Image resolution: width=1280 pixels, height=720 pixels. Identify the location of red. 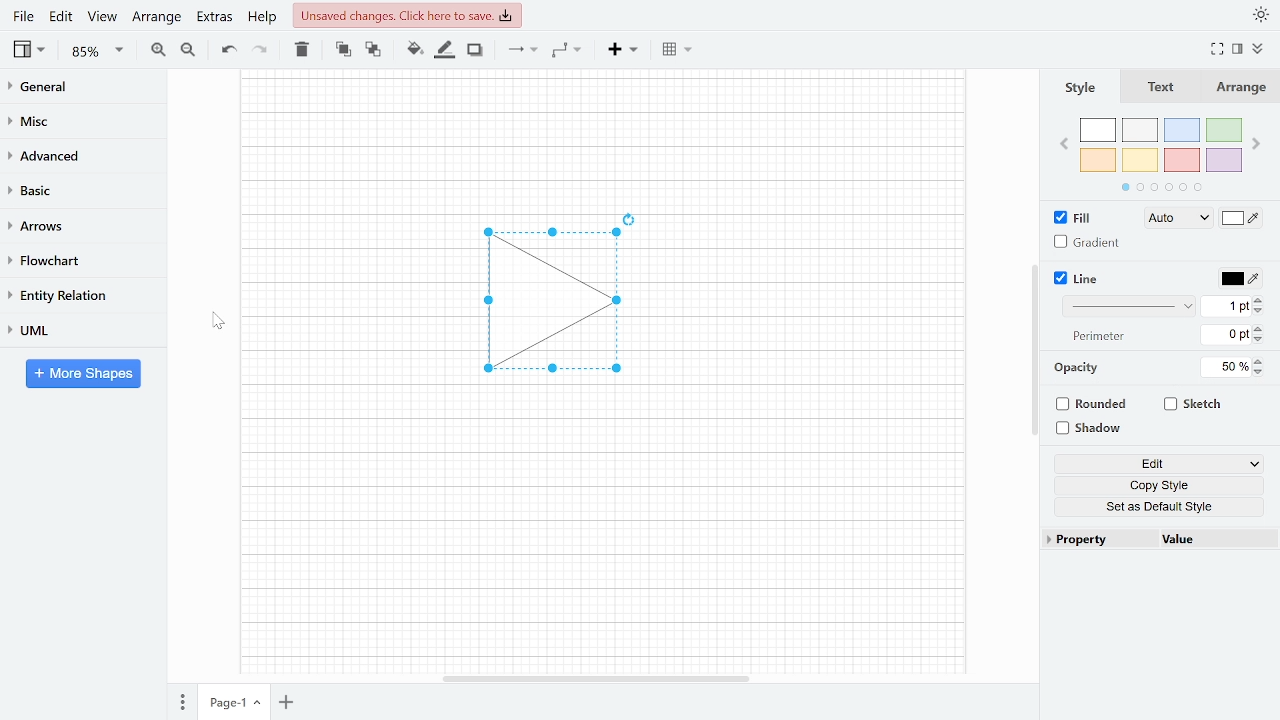
(1182, 161).